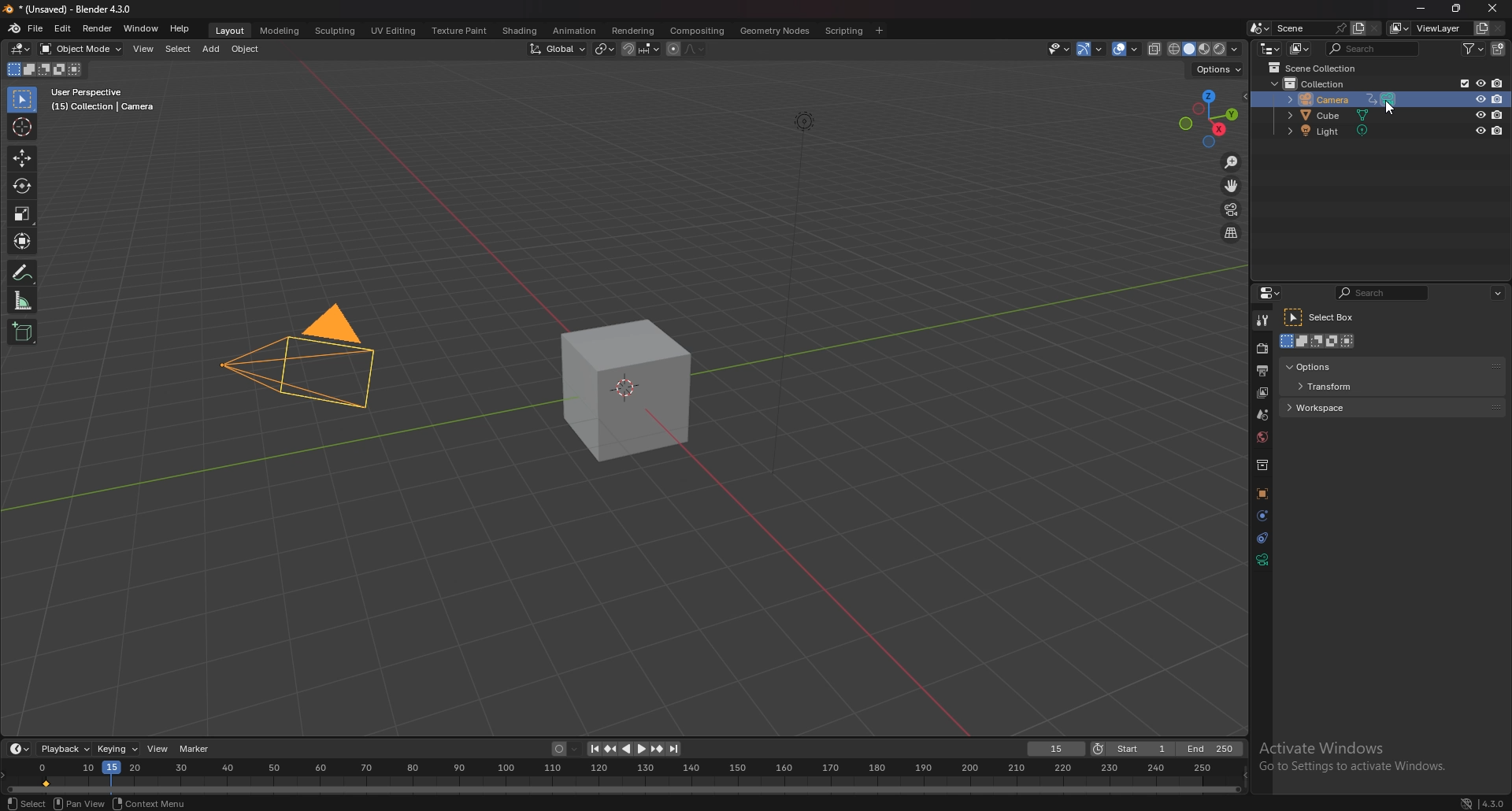 This screenshot has height=811, width=1512. I want to click on add workspace, so click(880, 29).